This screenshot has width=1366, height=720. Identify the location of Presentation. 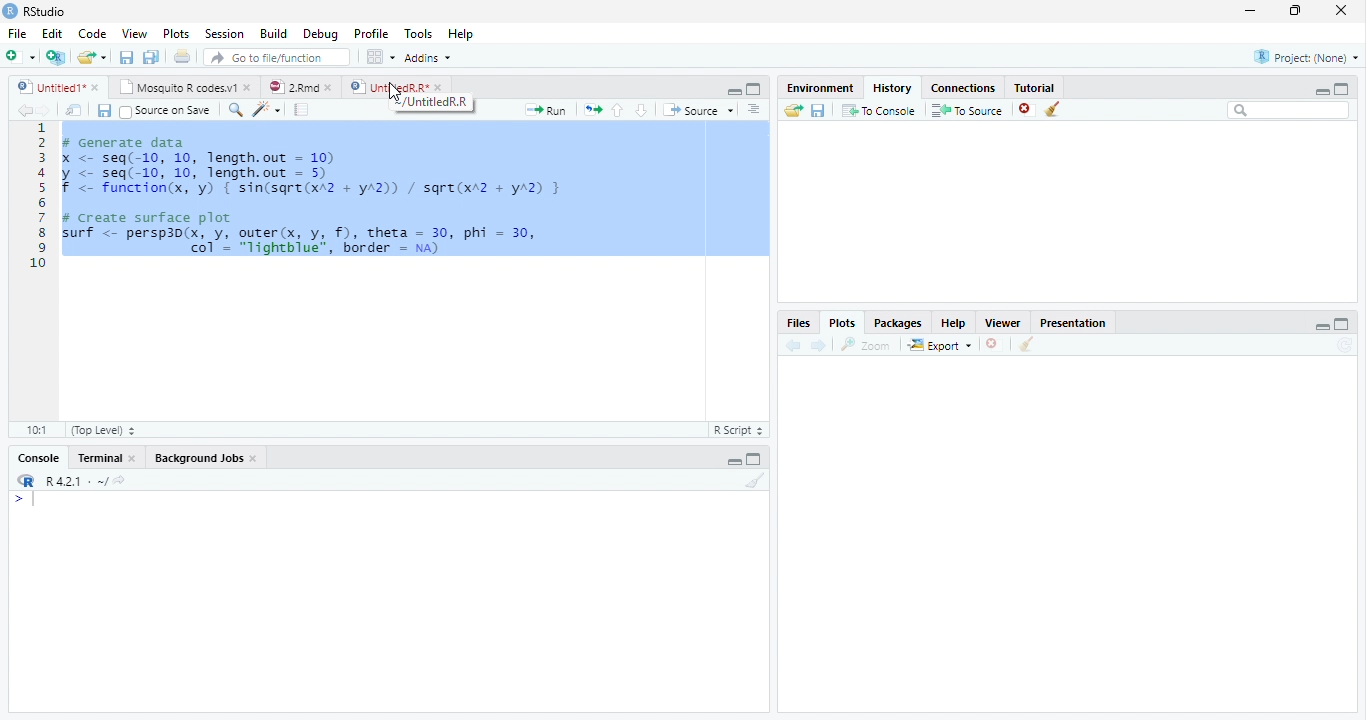
(1073, 322).